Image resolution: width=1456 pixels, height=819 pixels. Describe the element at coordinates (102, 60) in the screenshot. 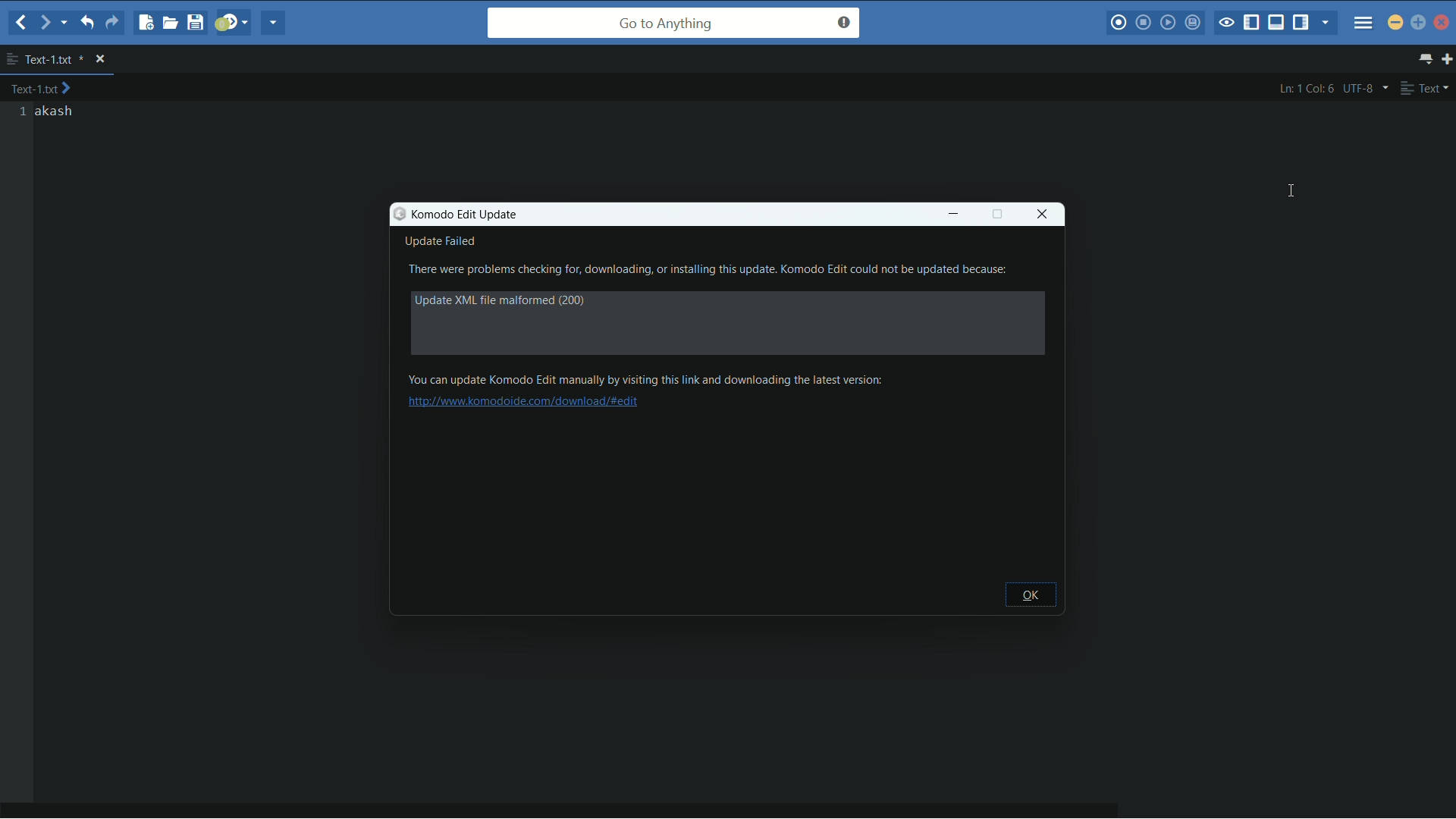

I see `close file` at that location.